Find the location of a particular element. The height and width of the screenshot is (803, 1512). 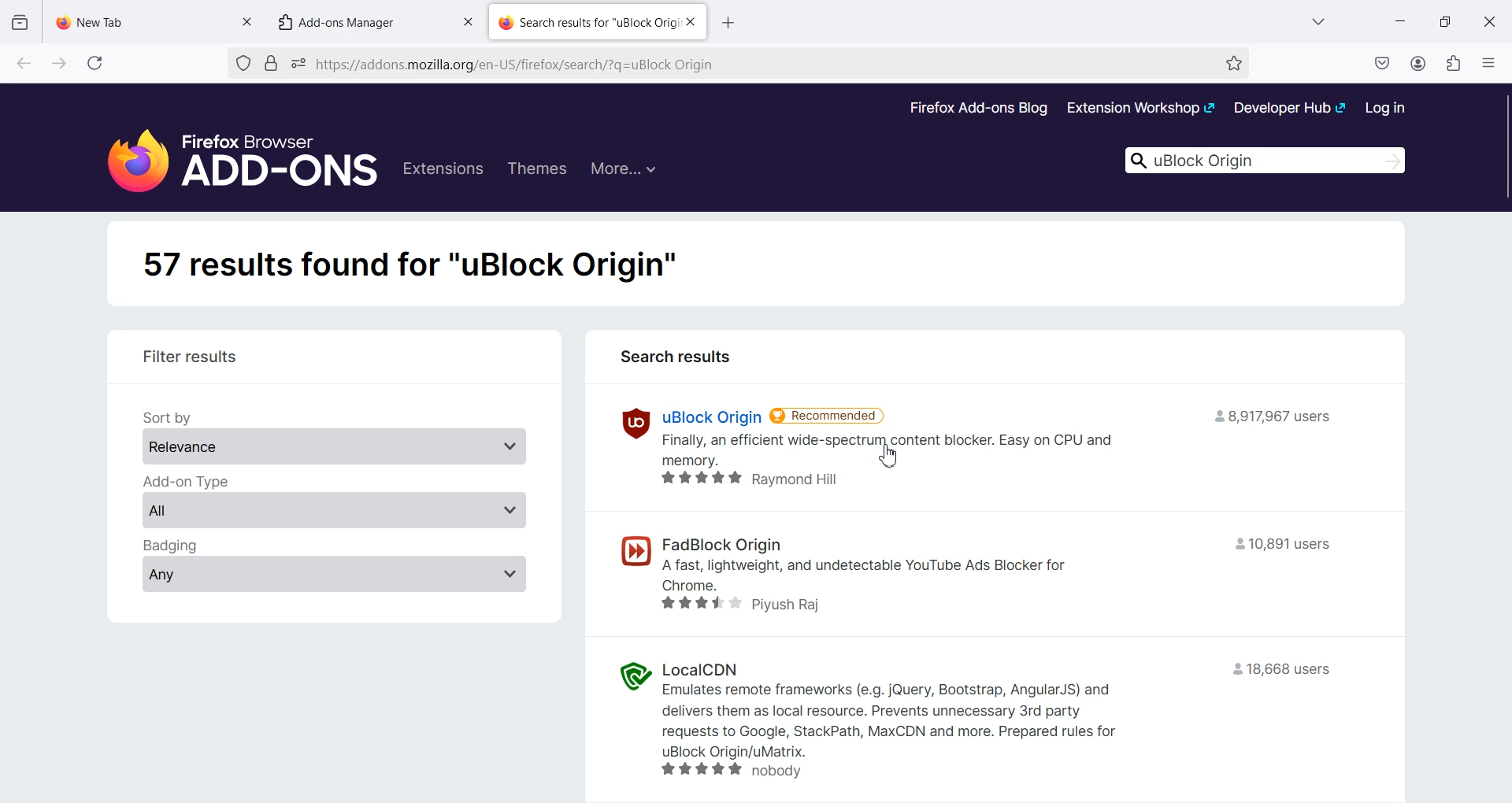

uBlock Origin is located at coordinates (709, 419).